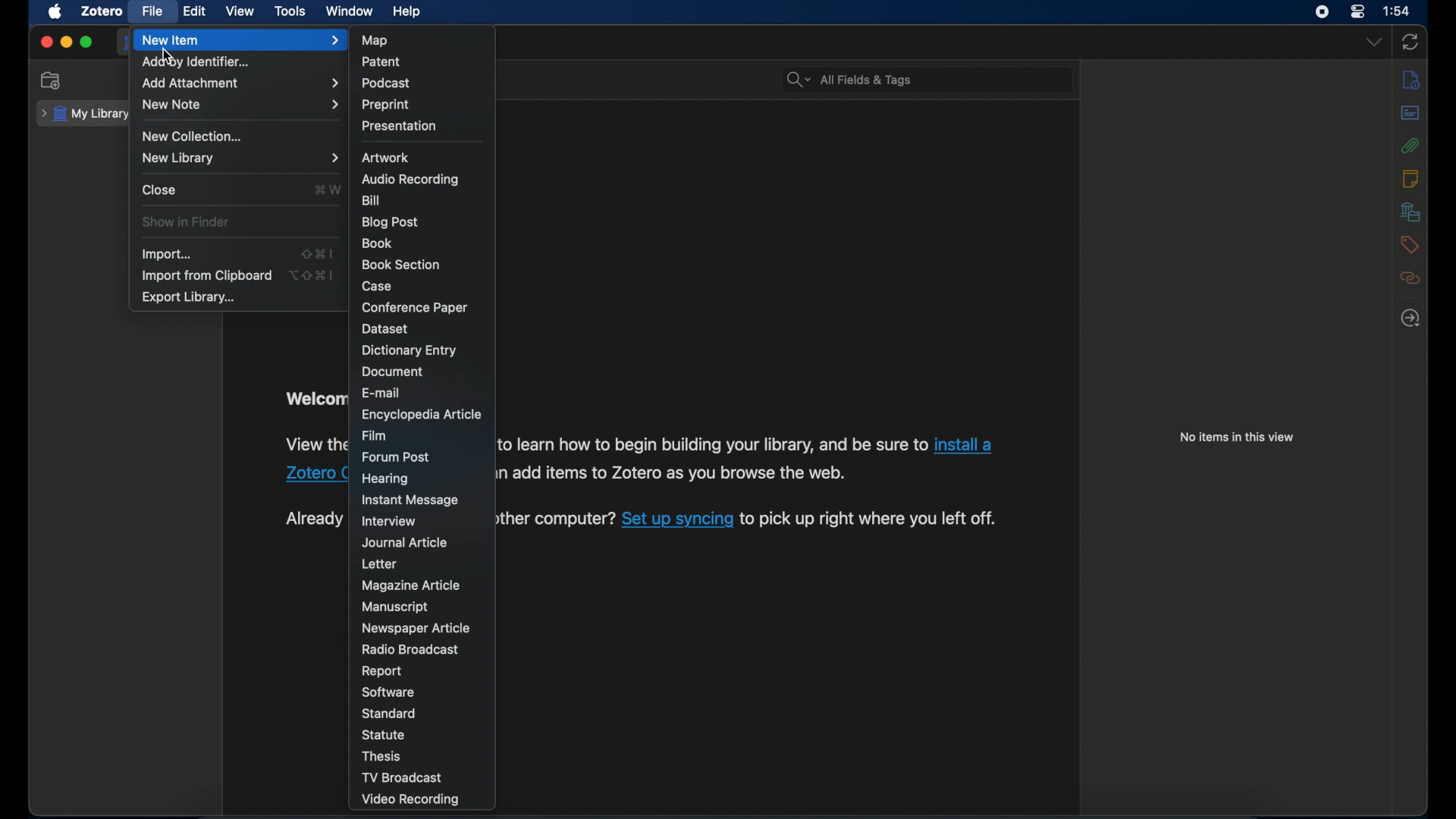 The image size is (1456, 819). I want to click on All Fields & Tags, so click(925, 77).